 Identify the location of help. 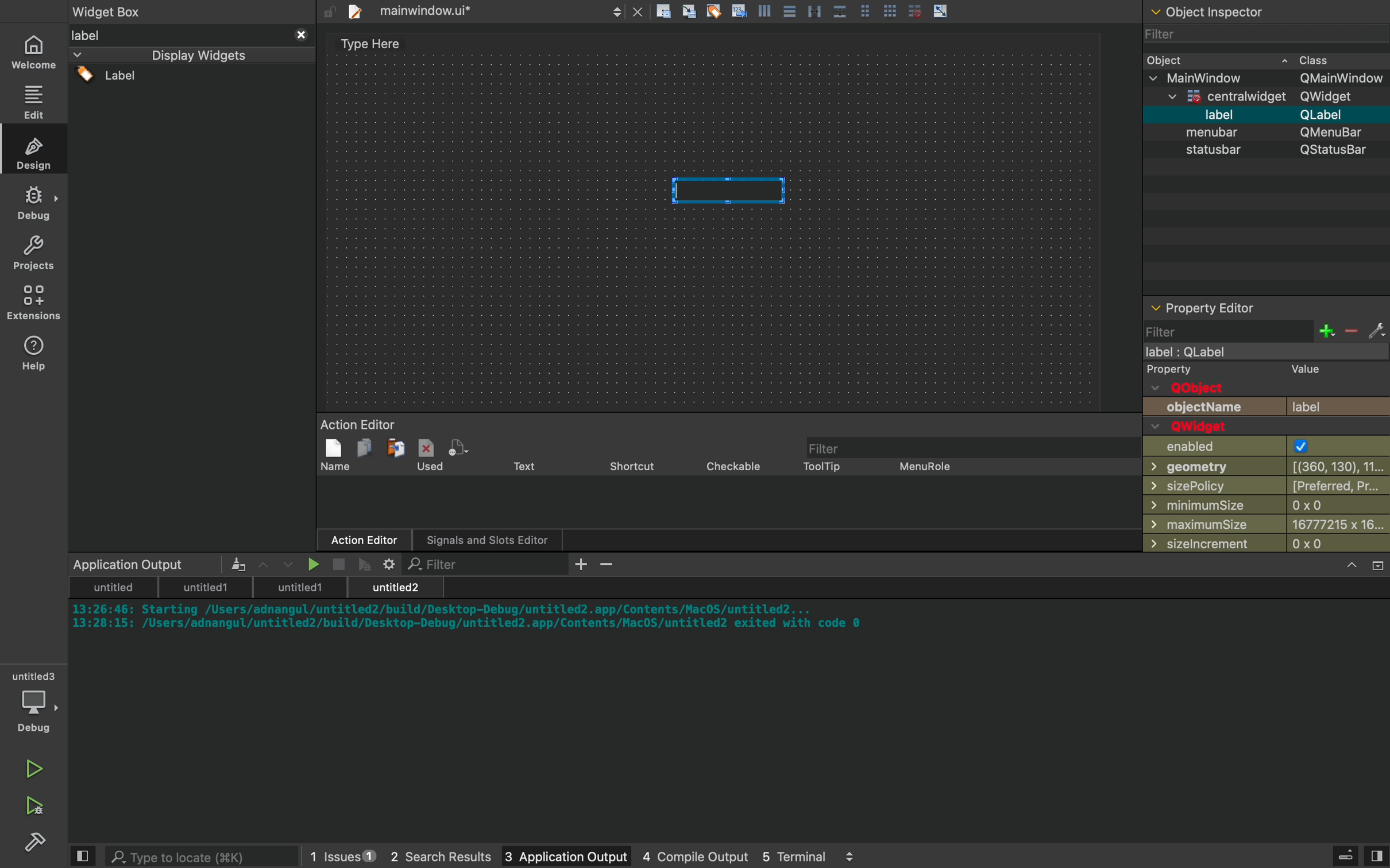
(34, 352).